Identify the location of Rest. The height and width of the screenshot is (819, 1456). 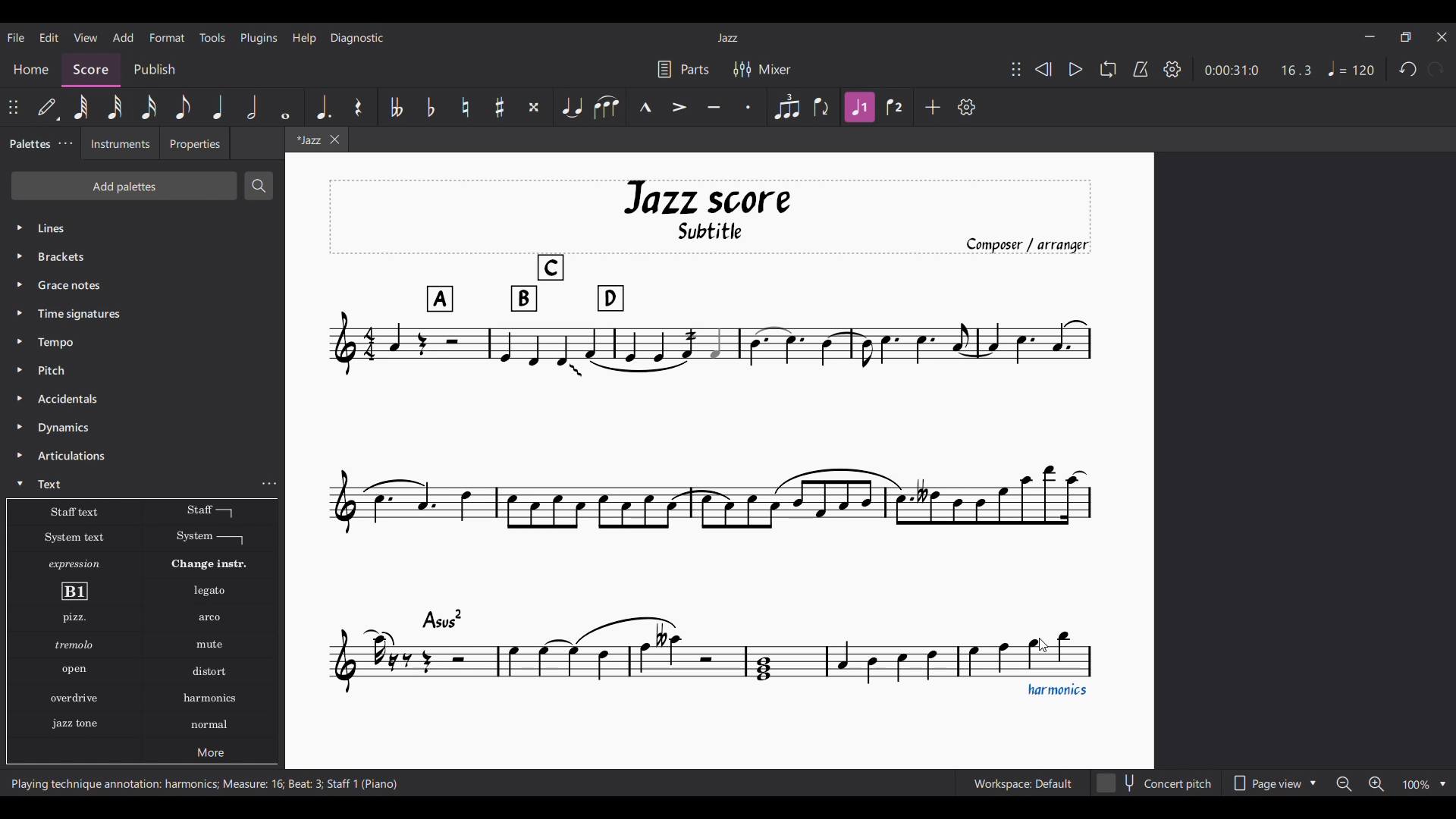
(358, 106).